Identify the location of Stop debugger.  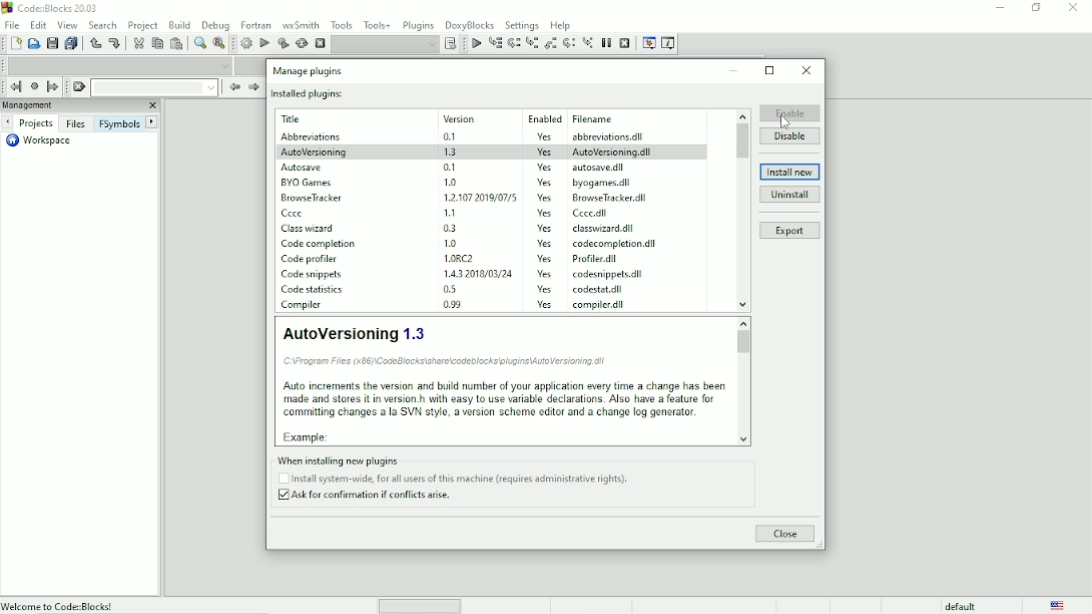
(625, 42).